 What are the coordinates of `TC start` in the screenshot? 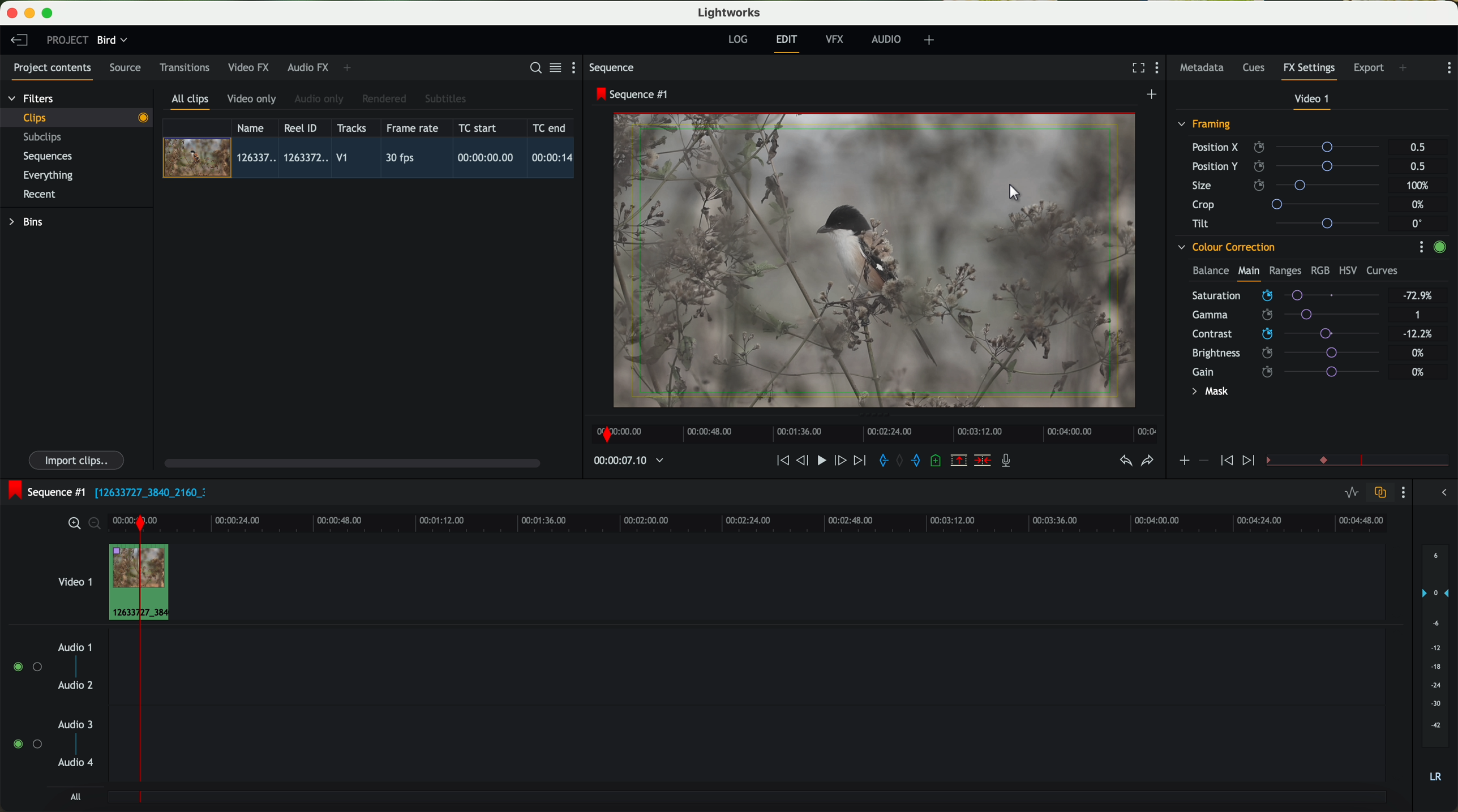 It's located at (479, 127).